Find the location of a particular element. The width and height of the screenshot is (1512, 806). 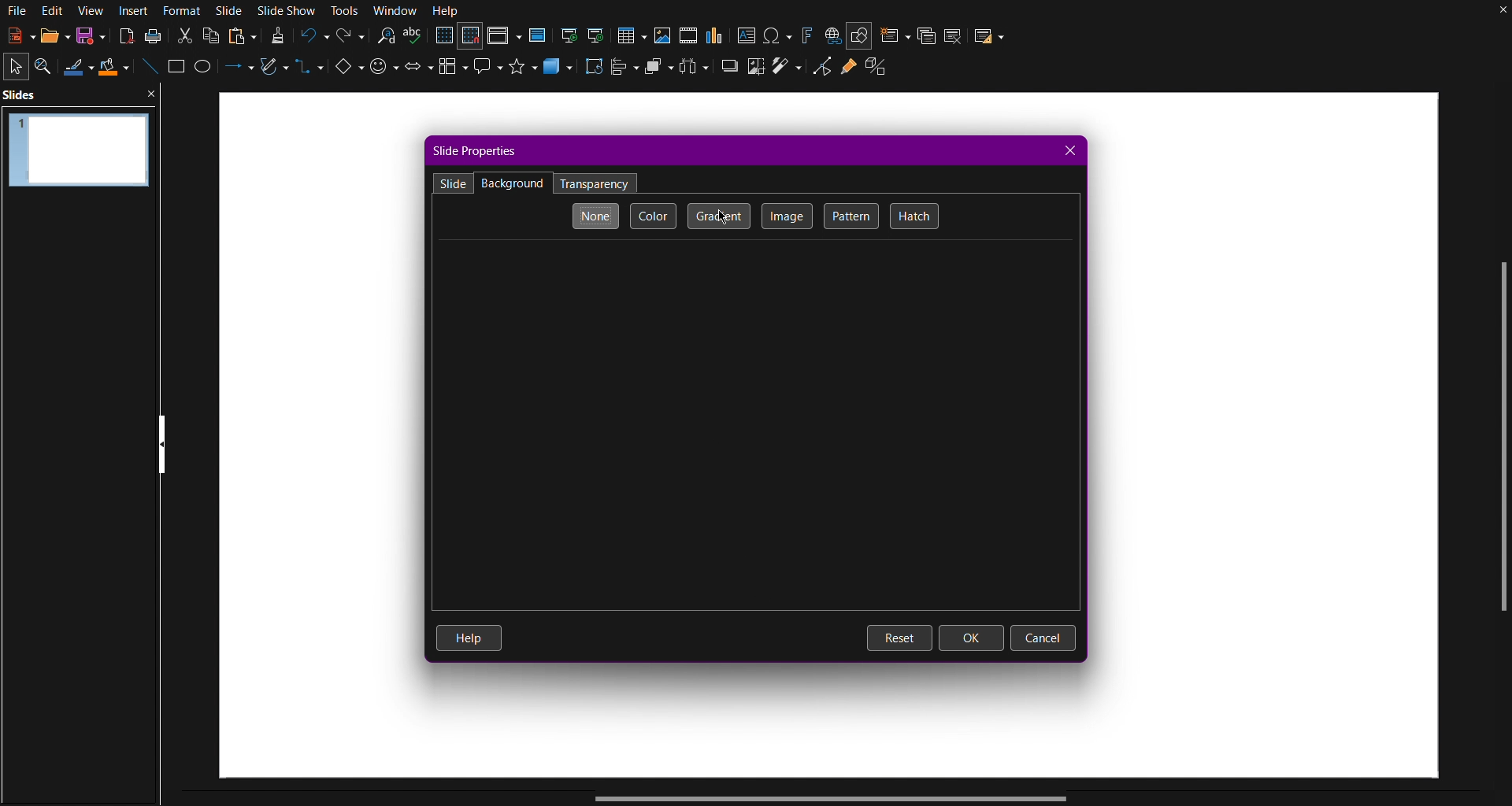

Search and Replace is located at coordinates (385, 36).